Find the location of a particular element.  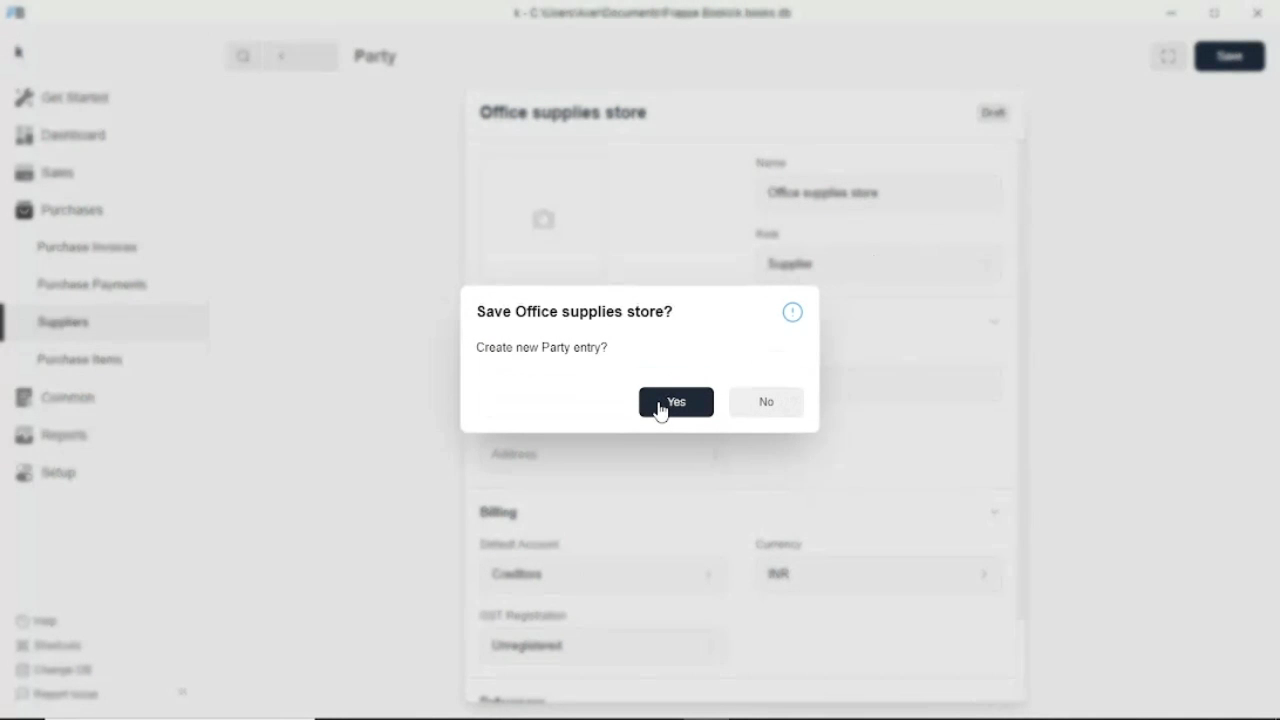

Purchases is located at coordinates (58, 211).